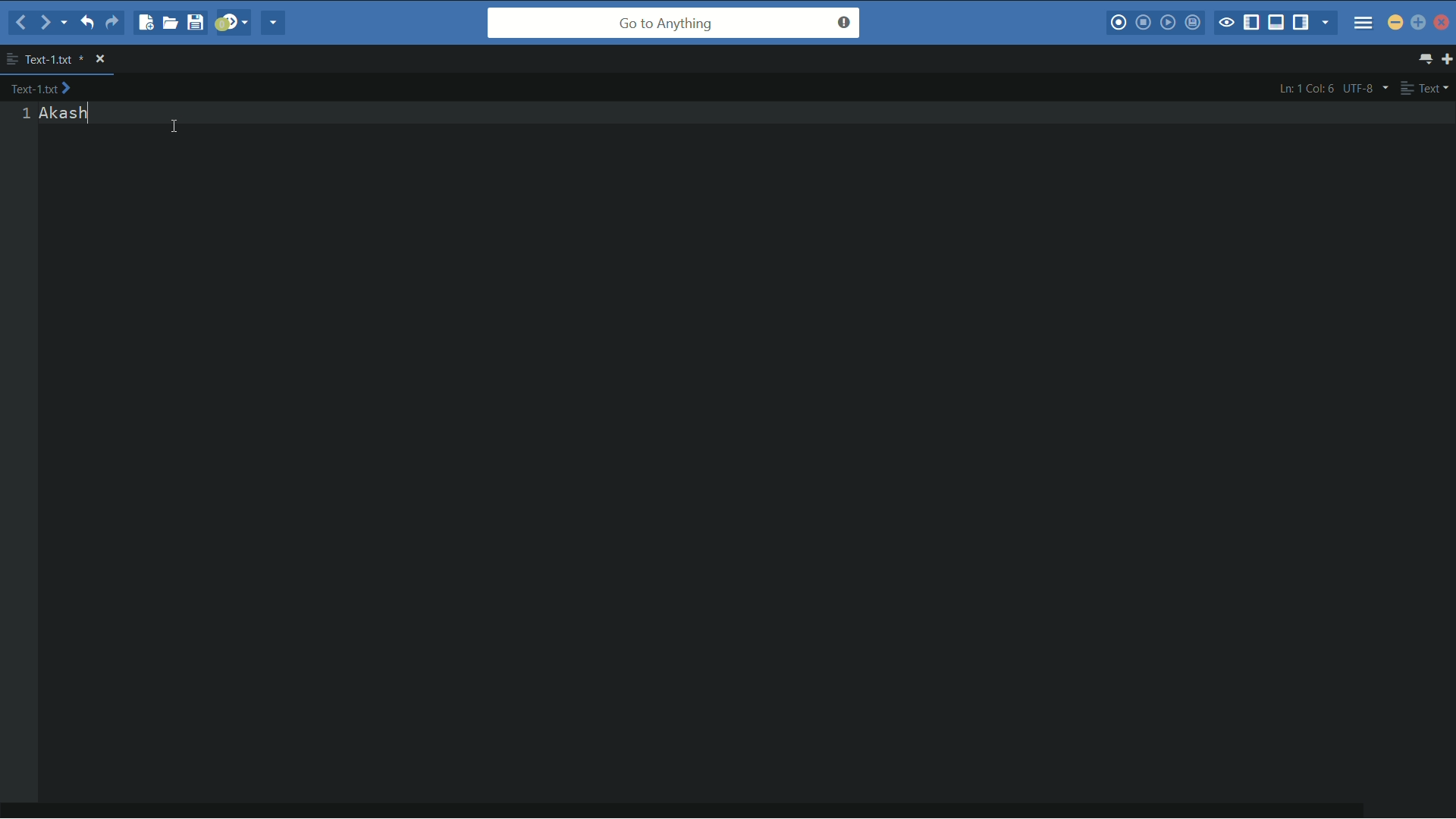 The image size is (1456, 819). What do you see at coordinates (40, 87) in the screenshot?
I see `text-1 File` at bounding box center [40, 87].